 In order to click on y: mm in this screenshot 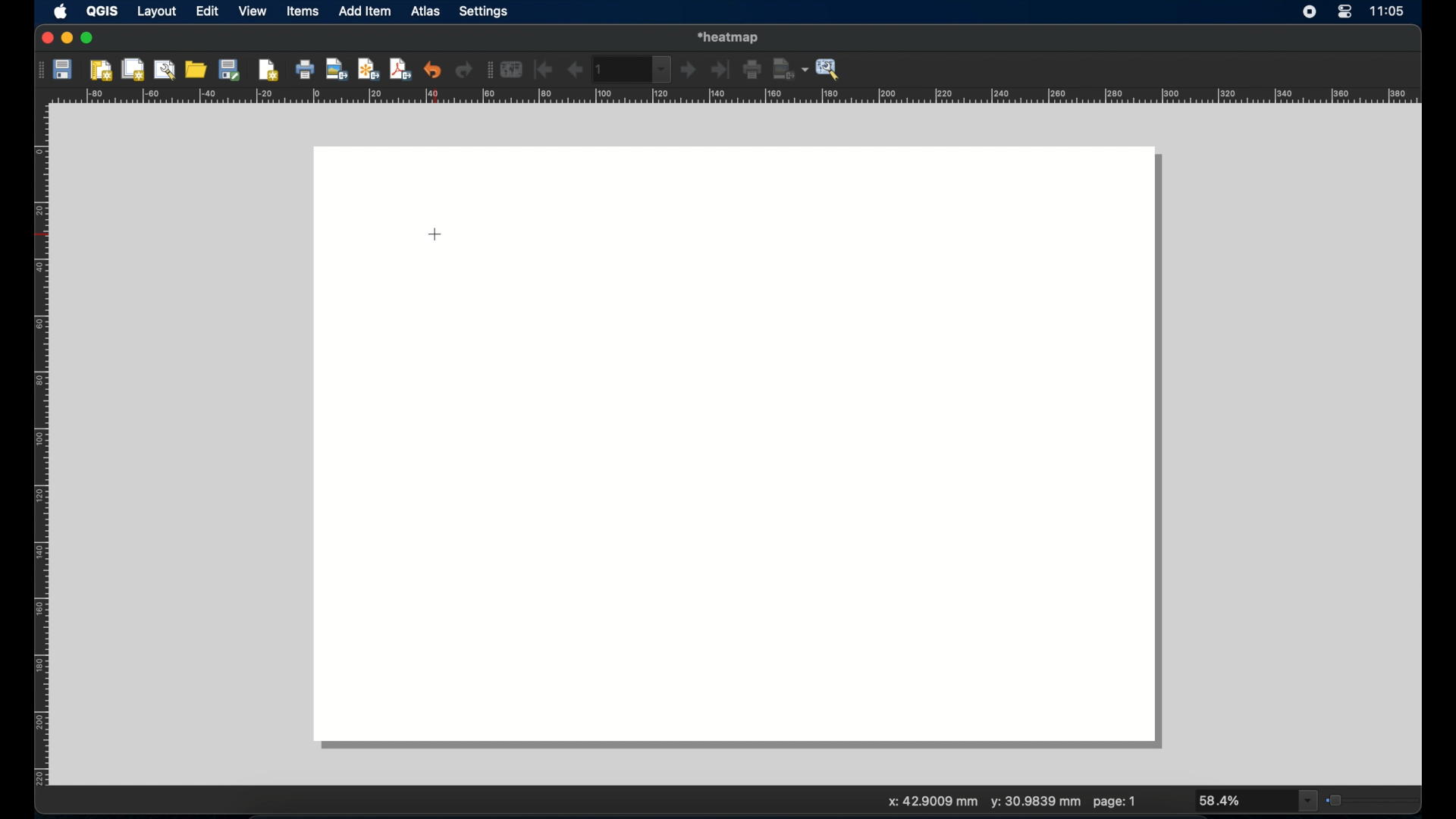, I will do `click(1034, 803)`.